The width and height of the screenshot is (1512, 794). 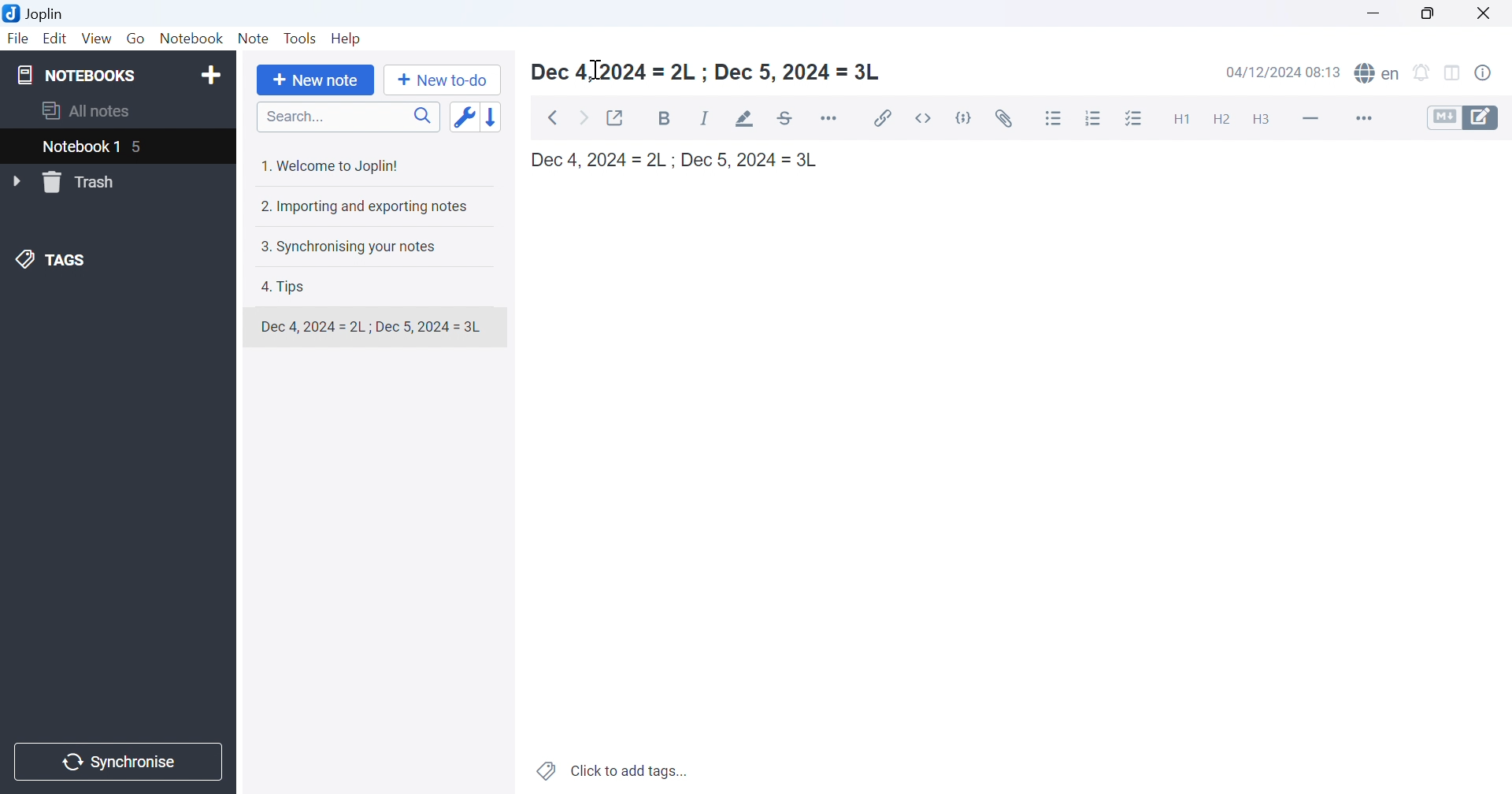 What do you see at coordinates (1269, 121) in the screenshot?
I see `Heading 3` at bounding box center [1269, 121].